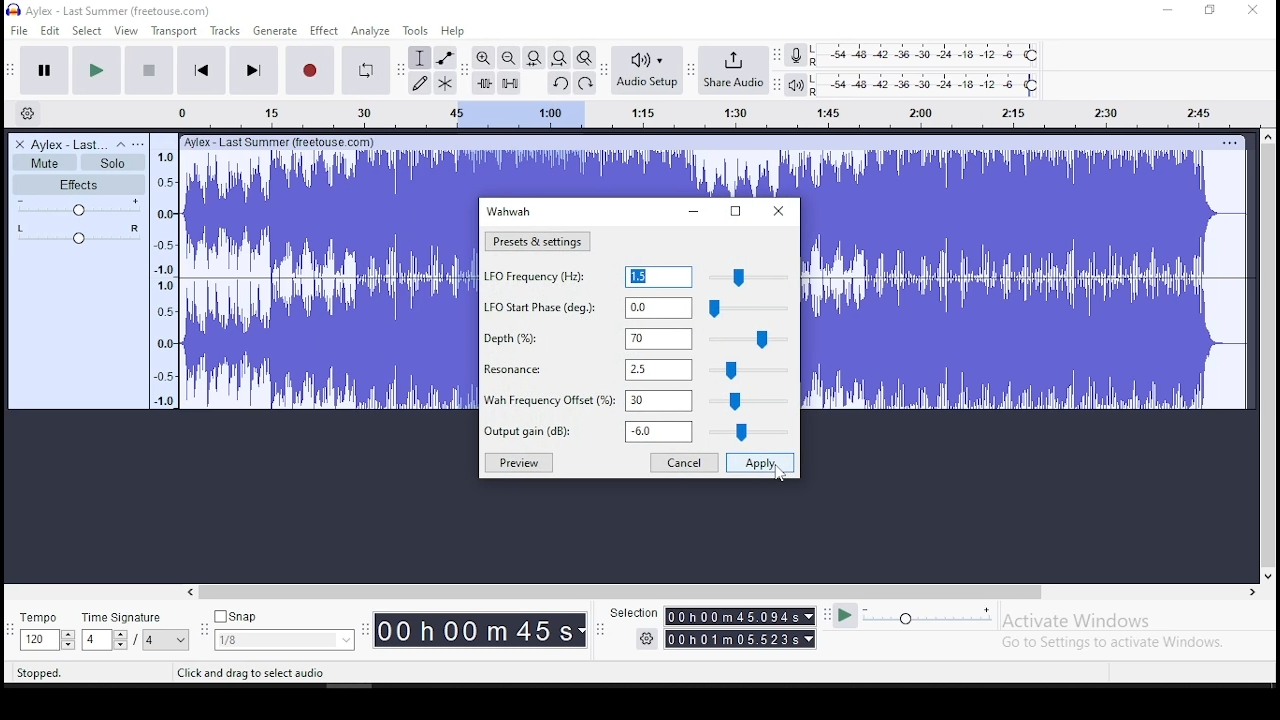  I want to click on minimize, so click(1168, 10).